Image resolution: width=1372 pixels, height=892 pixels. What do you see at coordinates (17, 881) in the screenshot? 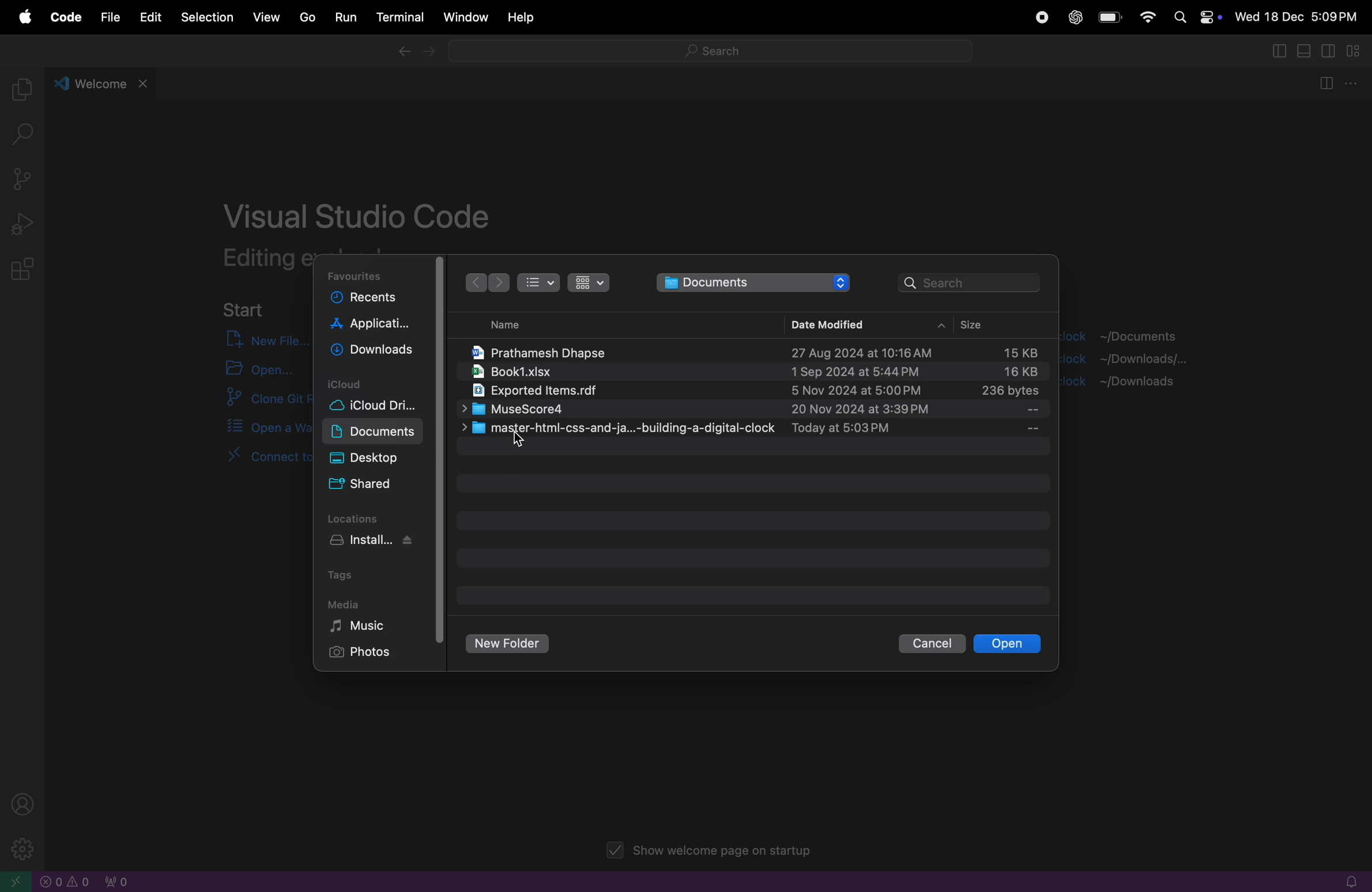
I see `open window` at bounding box center [17, 881].